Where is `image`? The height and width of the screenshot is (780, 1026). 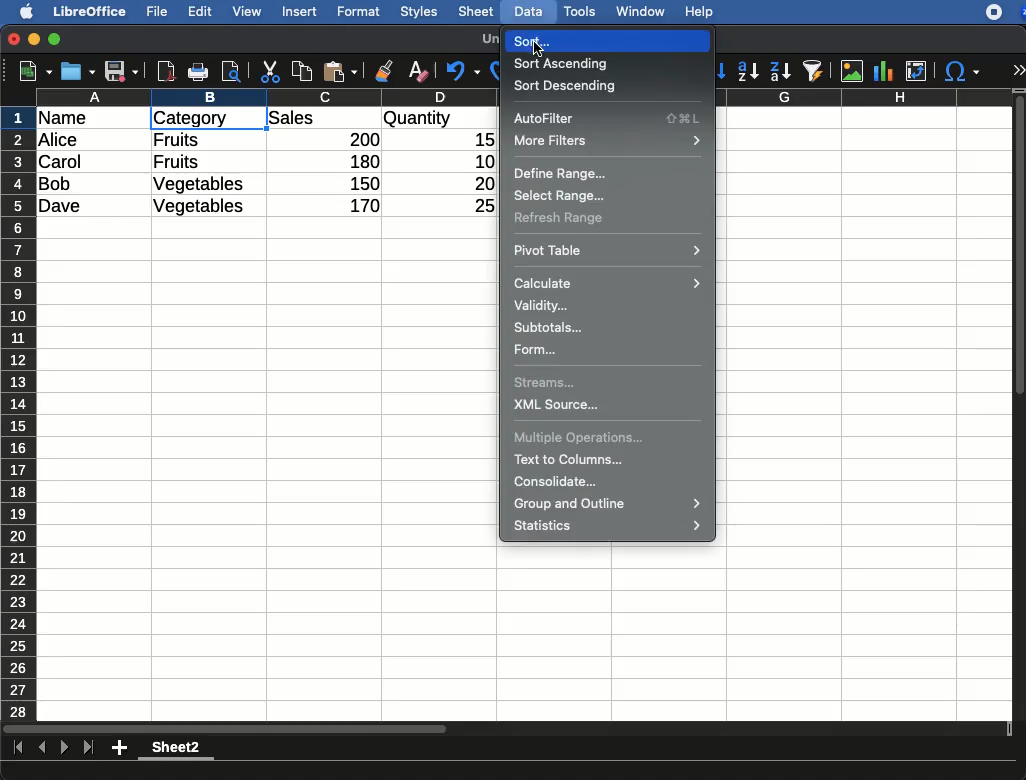
image is located at coordinates (854, 71).